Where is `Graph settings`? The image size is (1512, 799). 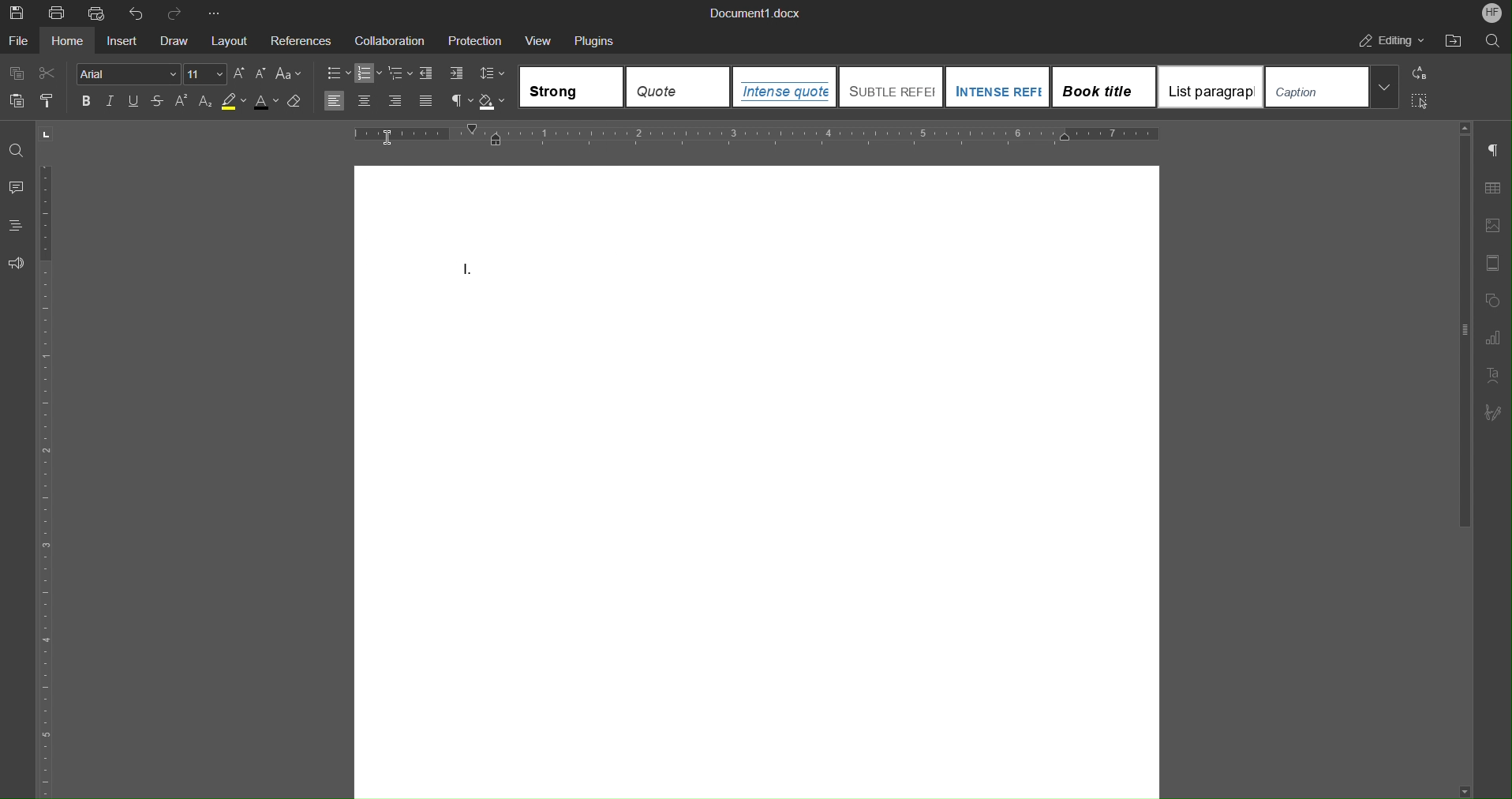 Graph settings is located at coordinates (1492, 339).